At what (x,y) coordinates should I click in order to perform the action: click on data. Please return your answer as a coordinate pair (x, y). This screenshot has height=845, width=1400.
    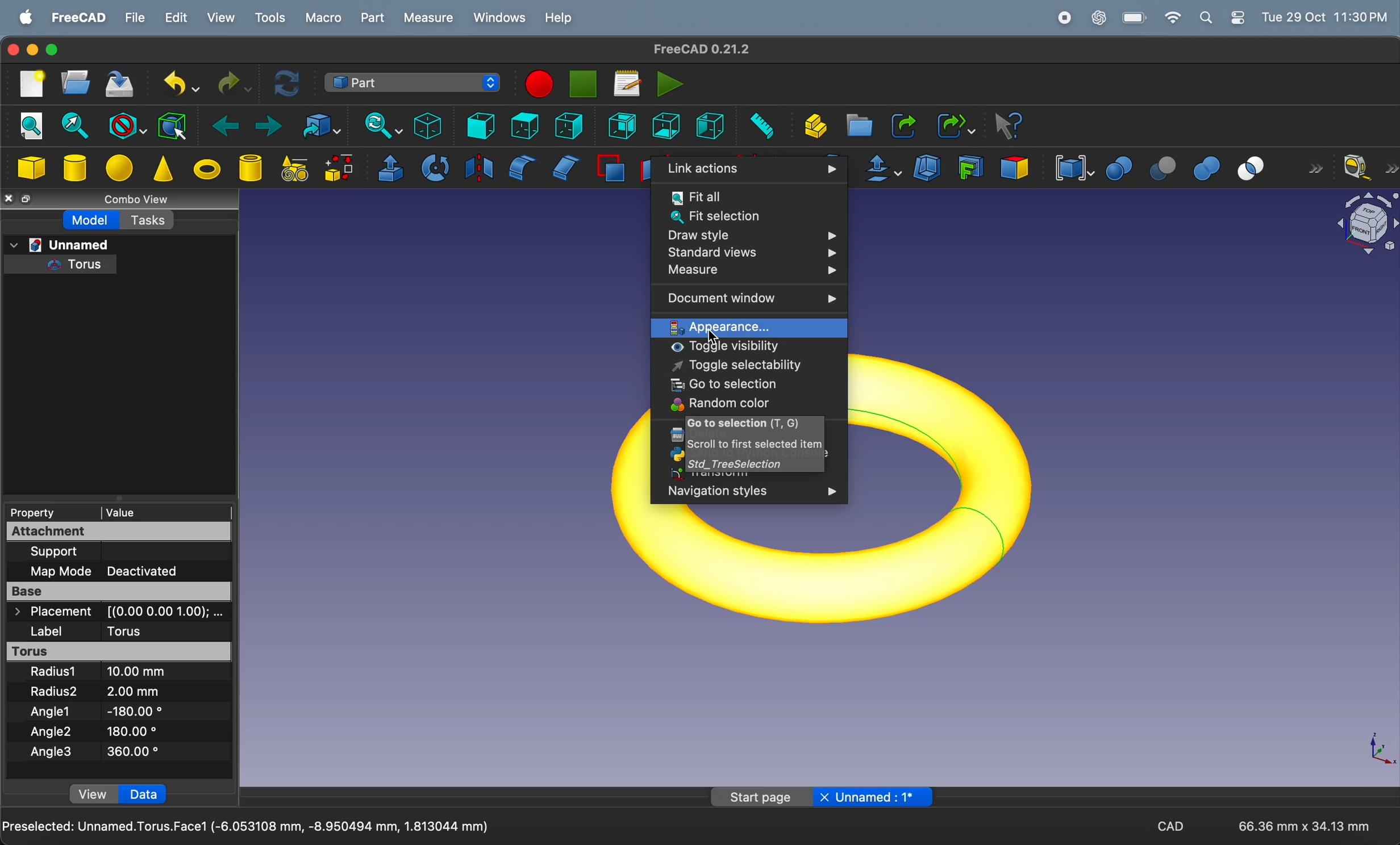
    Looking at the image, I should click on (144, 793).